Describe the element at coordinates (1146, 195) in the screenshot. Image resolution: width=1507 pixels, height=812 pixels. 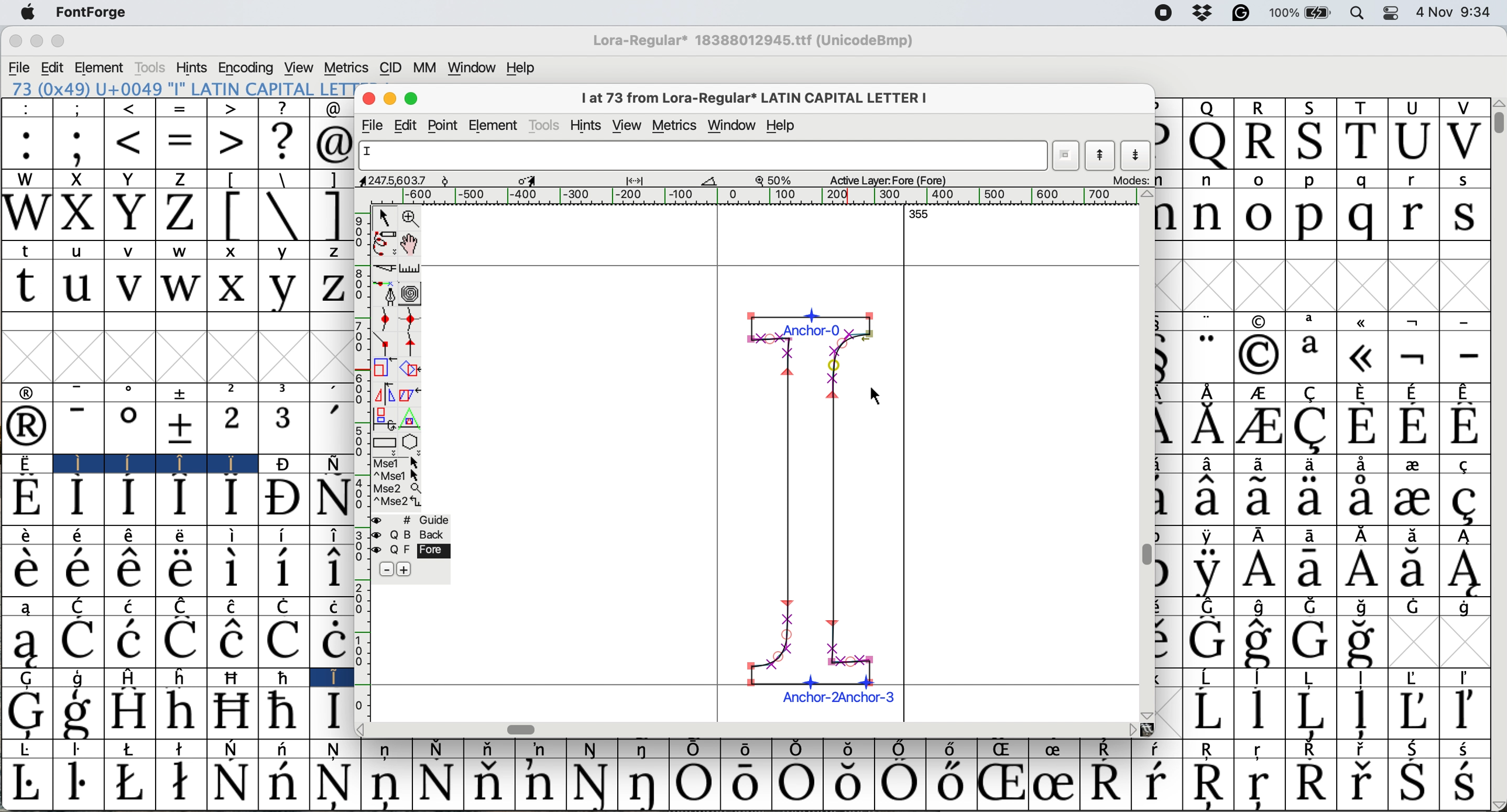
I see `` at that location.